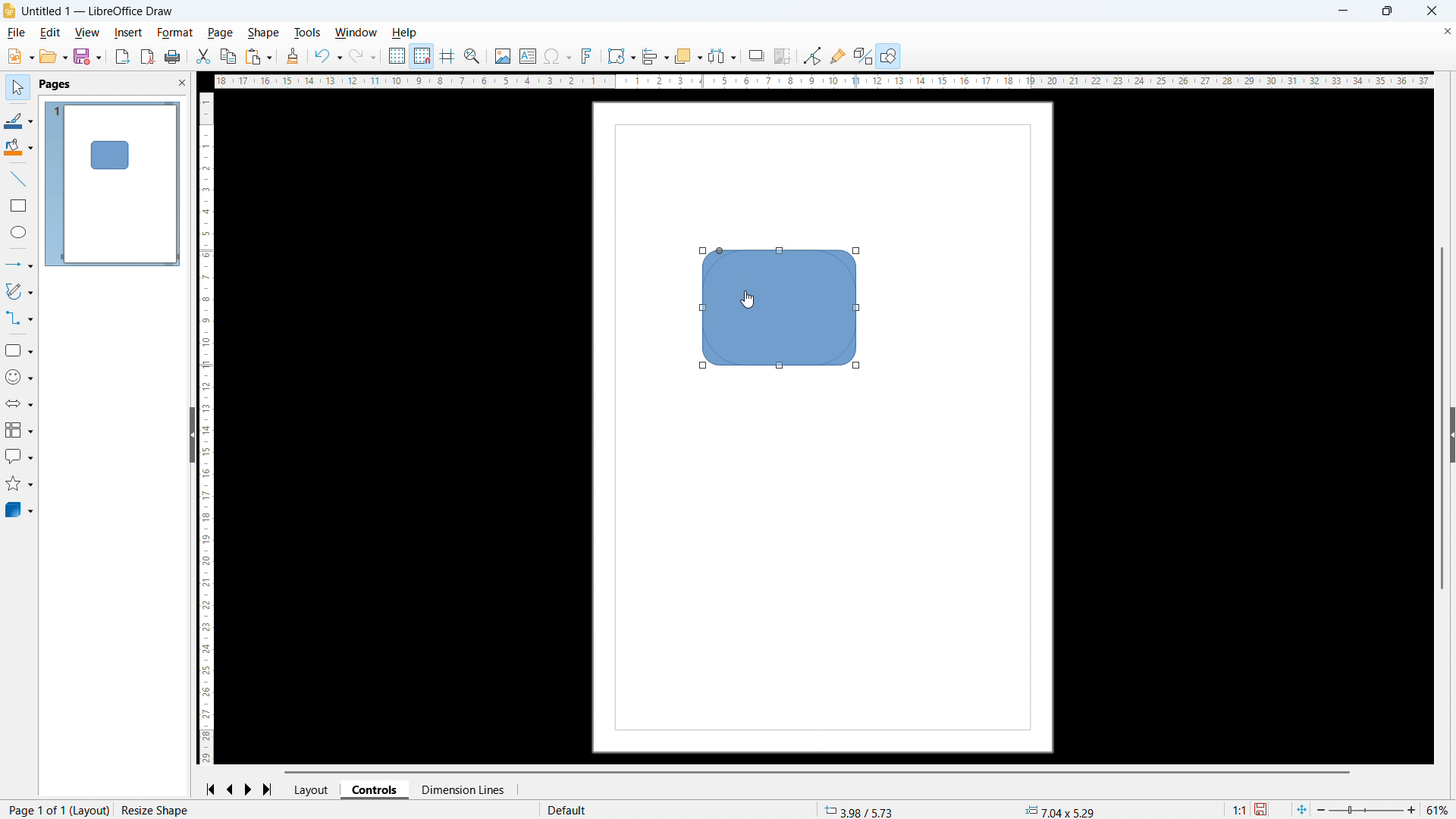 The height and width of the screenshot is (819, 1456). What do you see at coordinates (376, 789) in the screenshot?
I see `Controls ` at bounding box center [376, 789].